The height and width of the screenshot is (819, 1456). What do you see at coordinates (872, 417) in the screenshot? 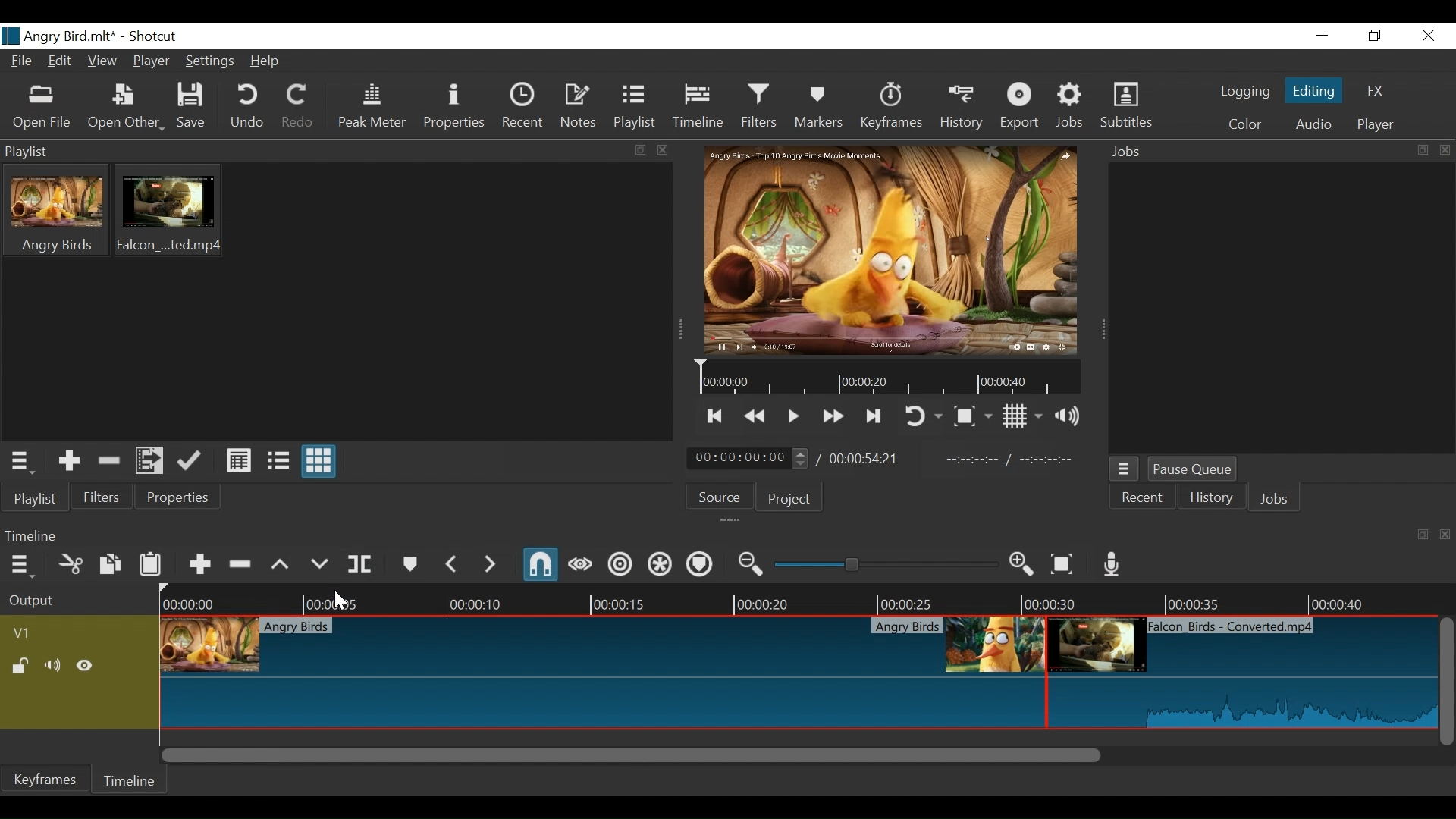
I see `Skip to the next point` at bounding box center [872, 417].